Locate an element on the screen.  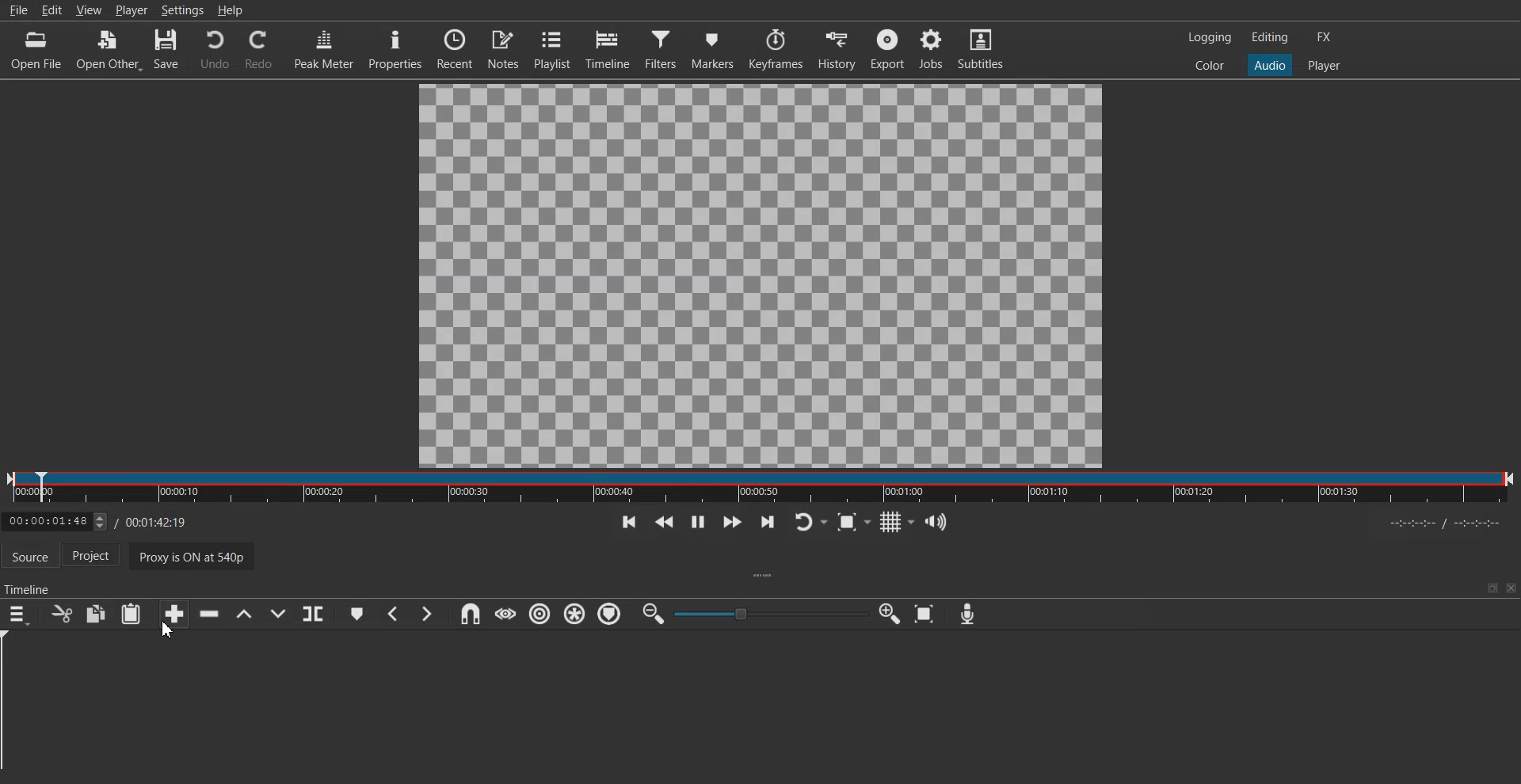
Playhead is located at coordinates (14, 707).